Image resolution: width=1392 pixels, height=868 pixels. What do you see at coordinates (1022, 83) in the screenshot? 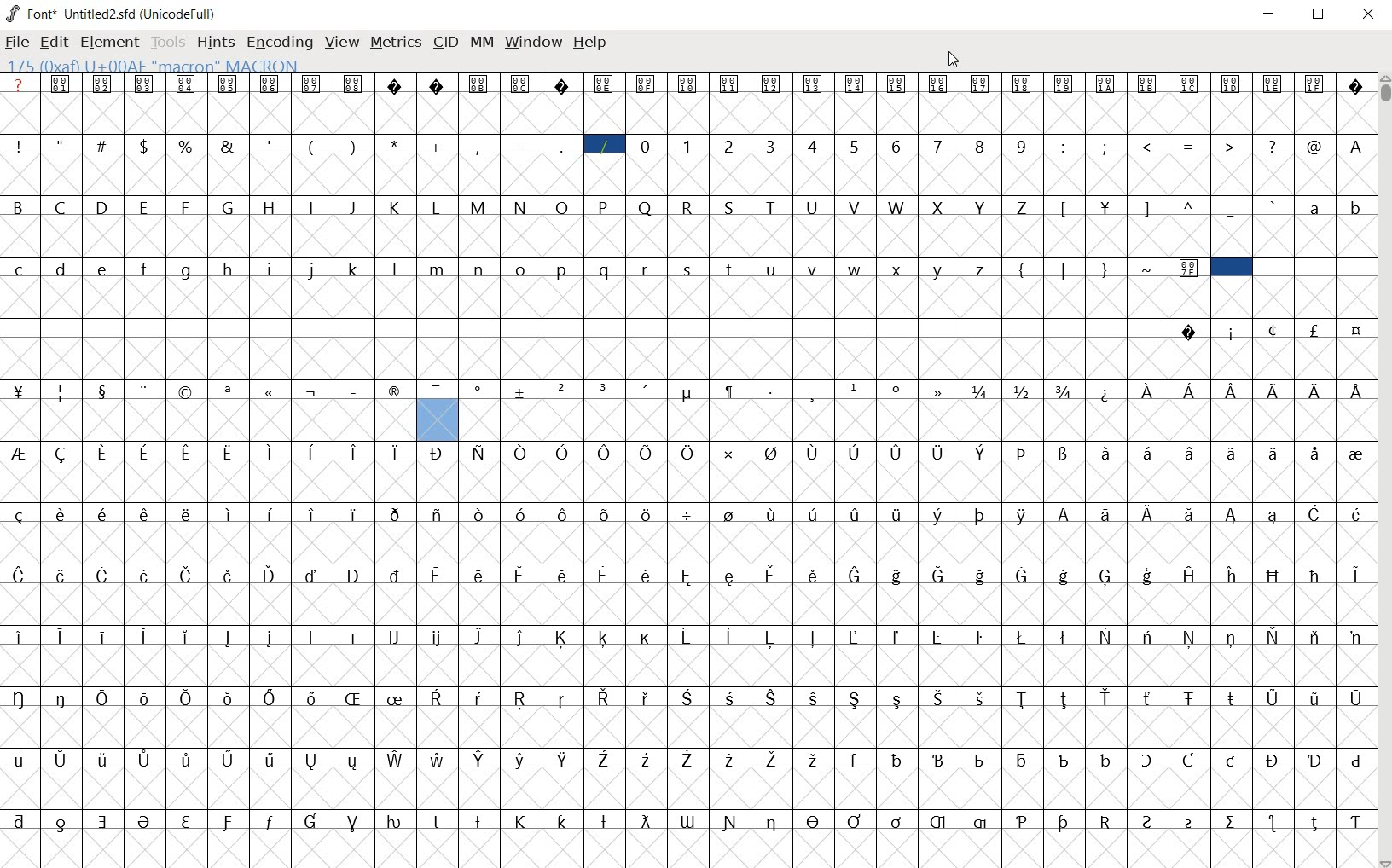
I see `Symbol` at bounding box center [1022, 83].